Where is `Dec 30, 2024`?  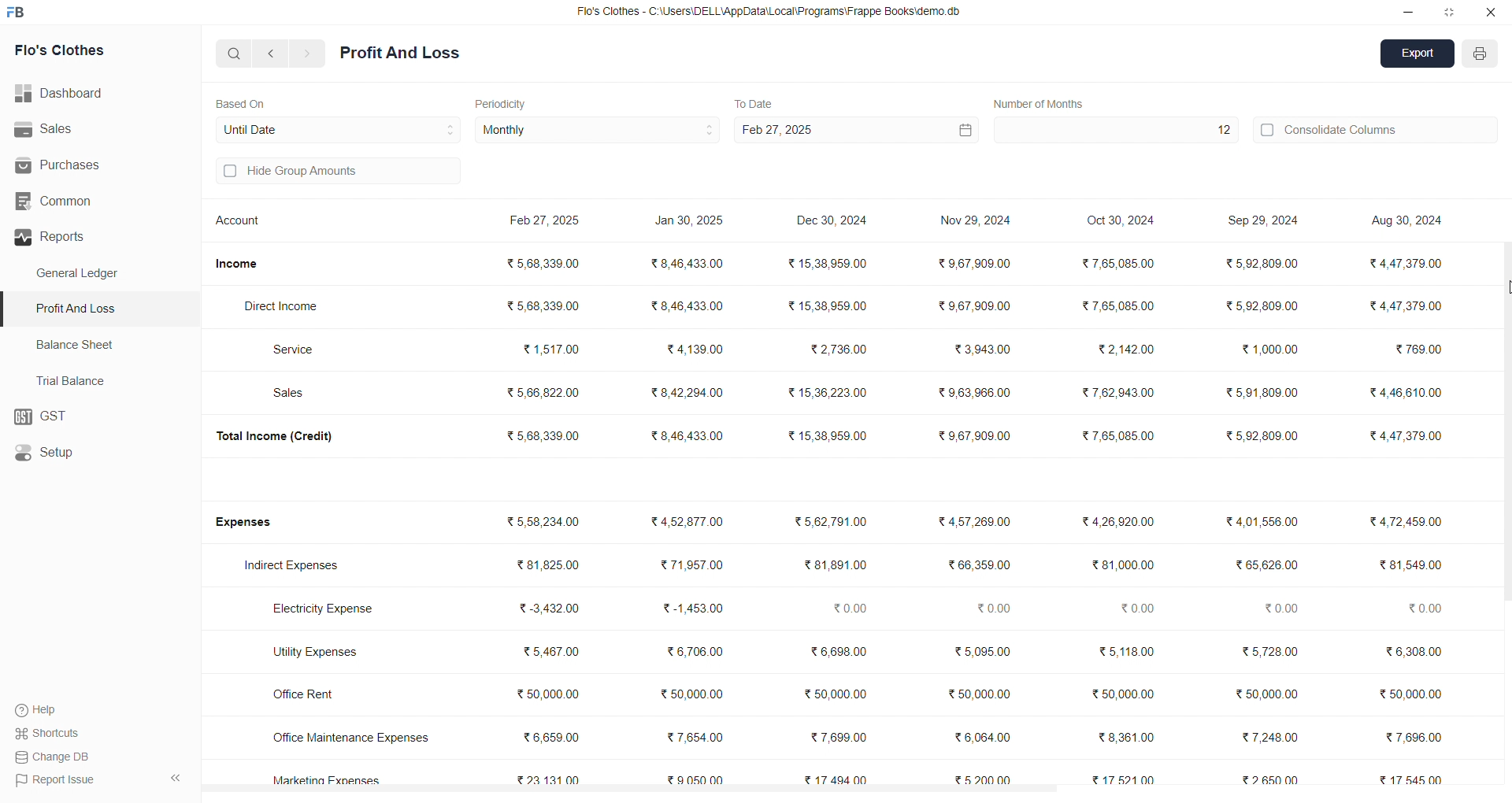
Dec 30, 2024 is located at coordinates (835, 222).